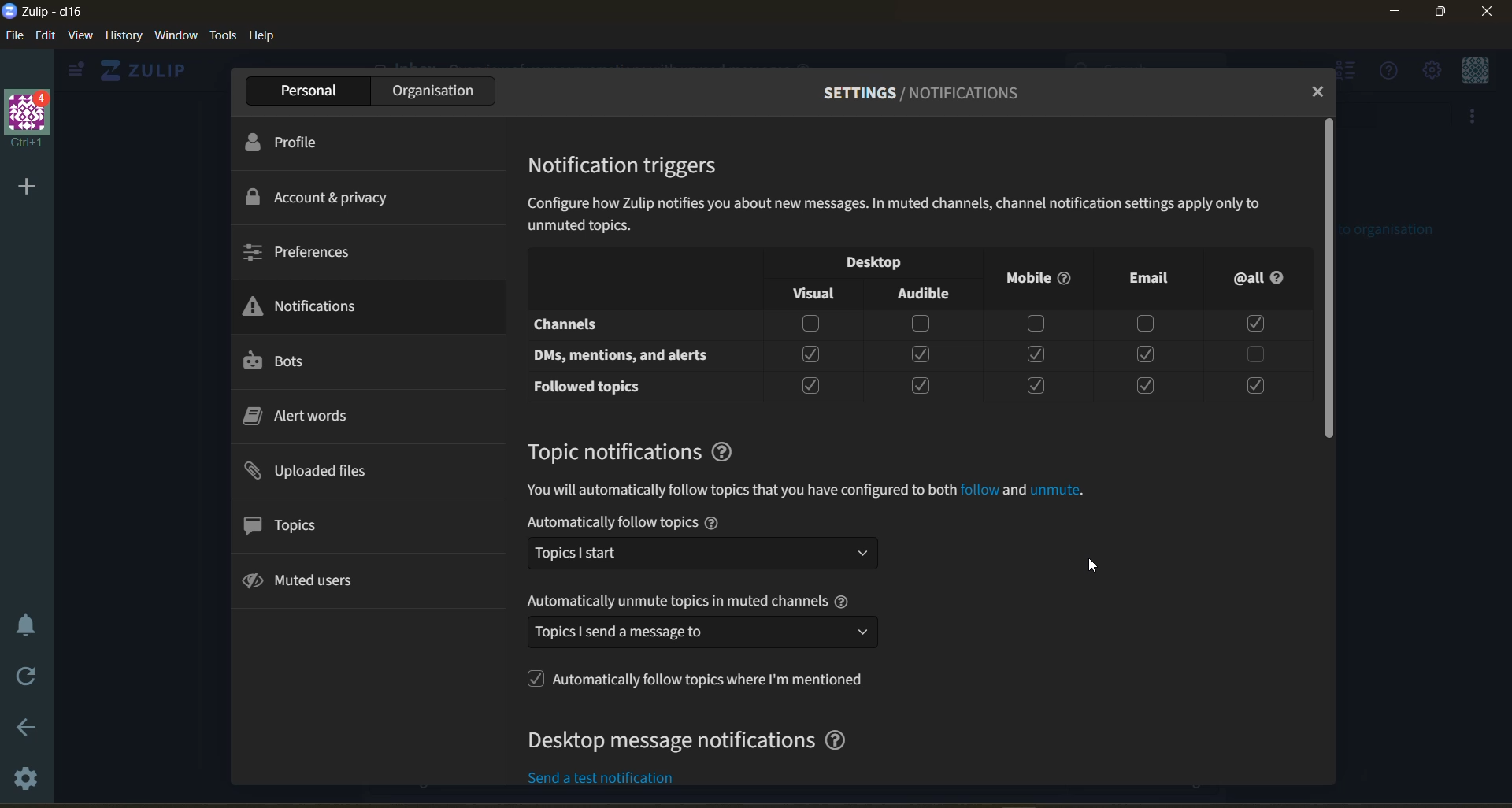  I want to click on notification visibility checkbox, so click(883, 261).